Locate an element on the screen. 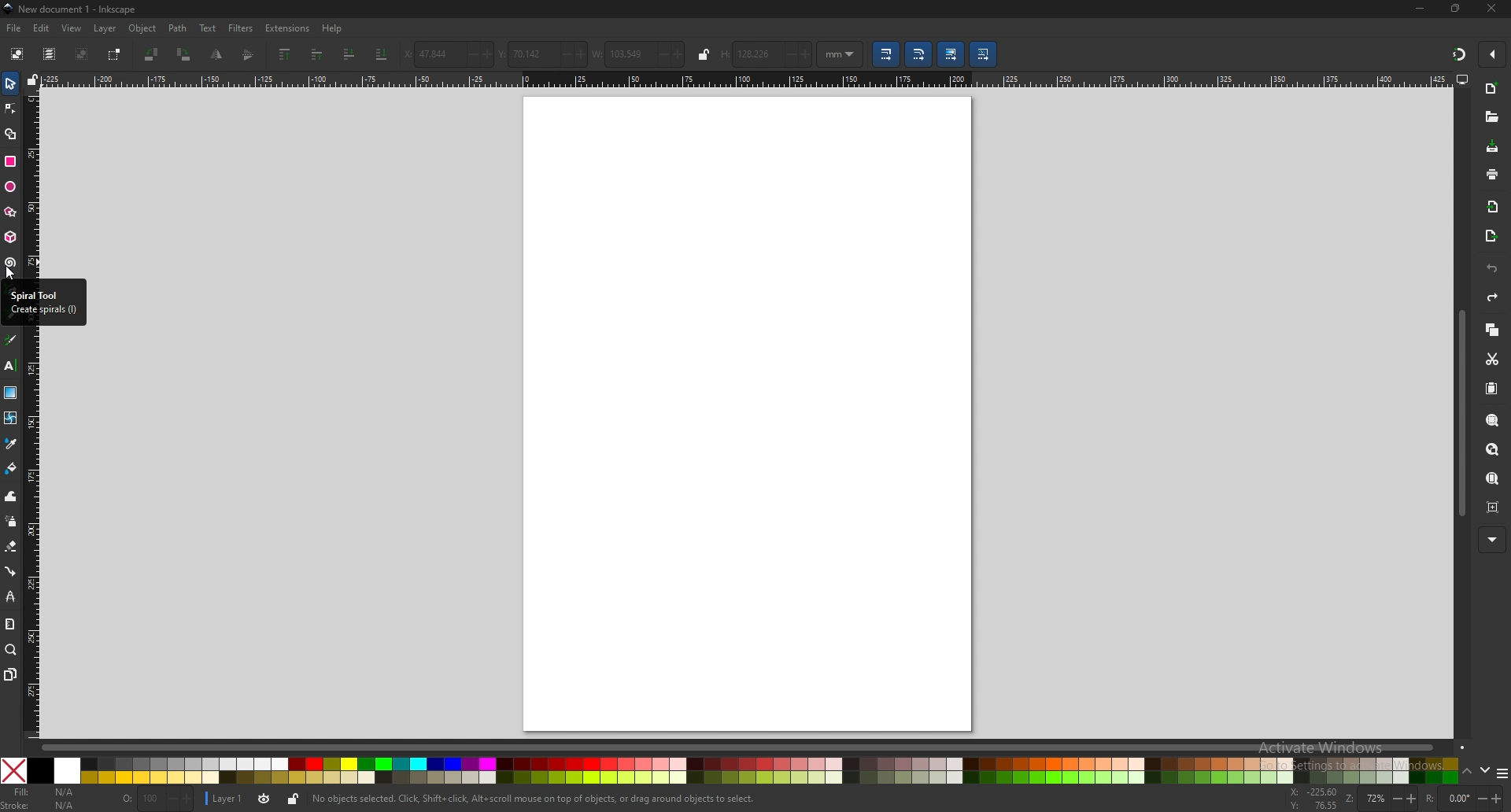 The height and width of the screenshot is (812, 1511). lower selection to bottom is located at coordinates (382, 53).